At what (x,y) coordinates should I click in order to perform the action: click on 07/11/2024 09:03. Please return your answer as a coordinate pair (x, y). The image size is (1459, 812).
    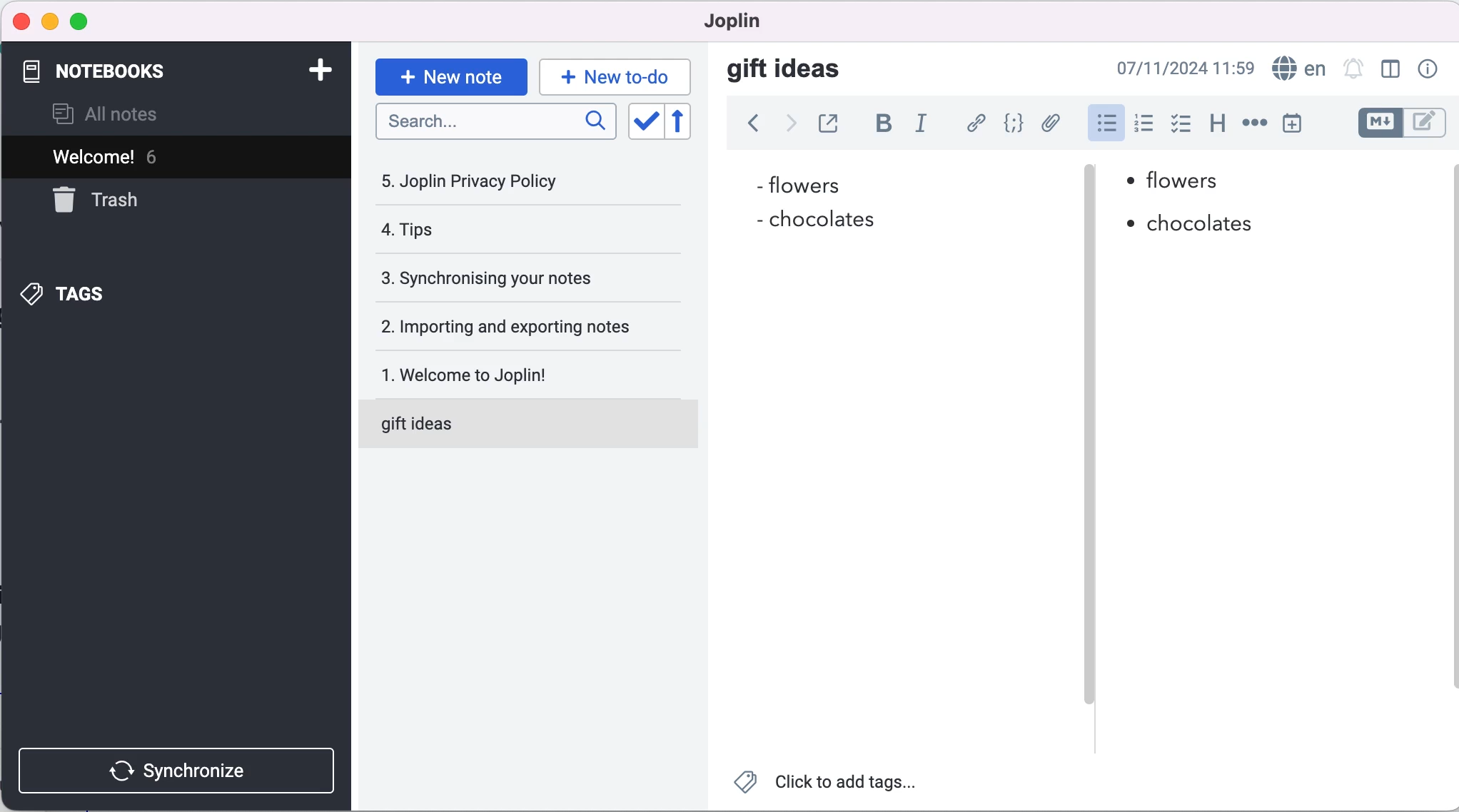
    Looking at the image, I should click on (1171, 69).